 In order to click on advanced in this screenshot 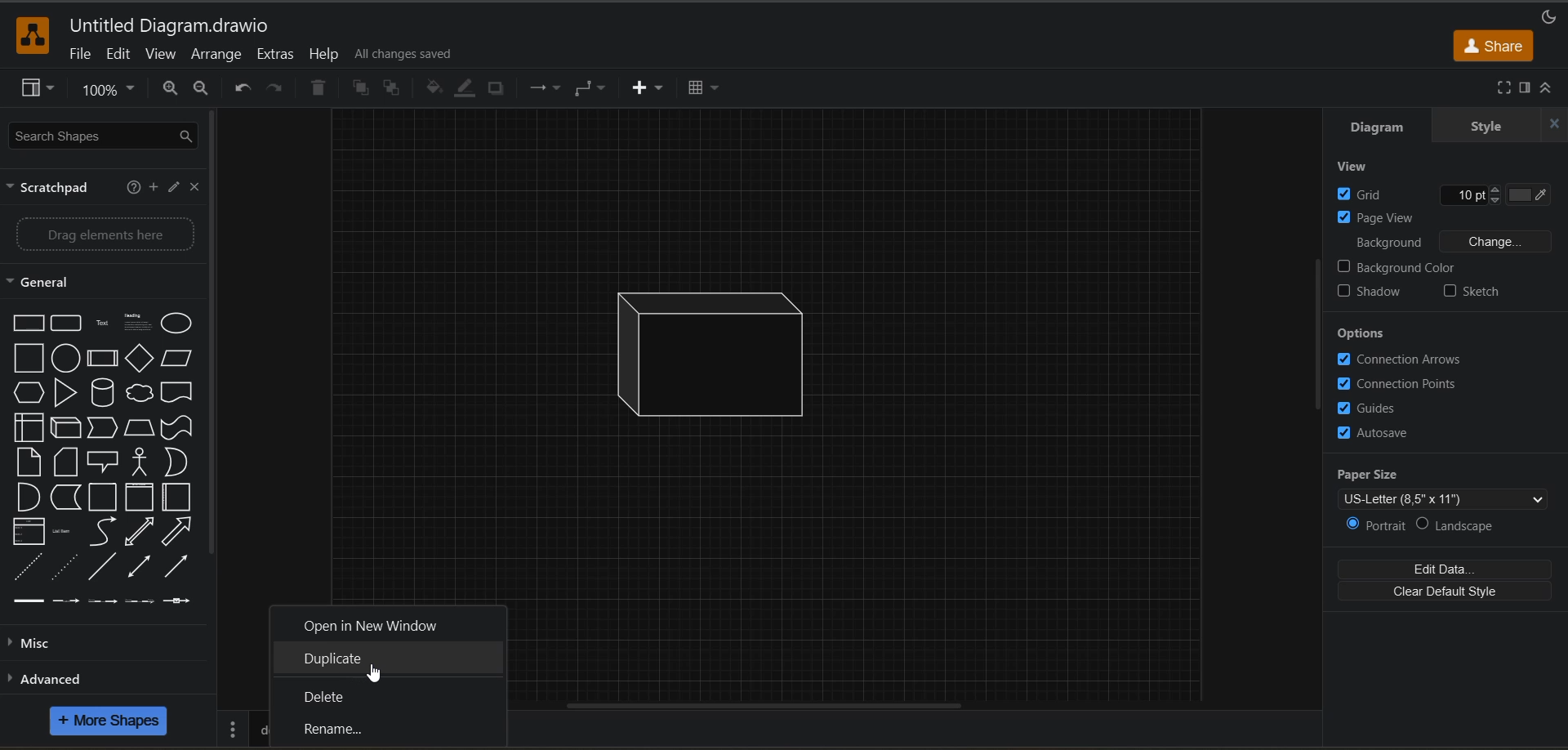, I will do `click(55, 677)`.